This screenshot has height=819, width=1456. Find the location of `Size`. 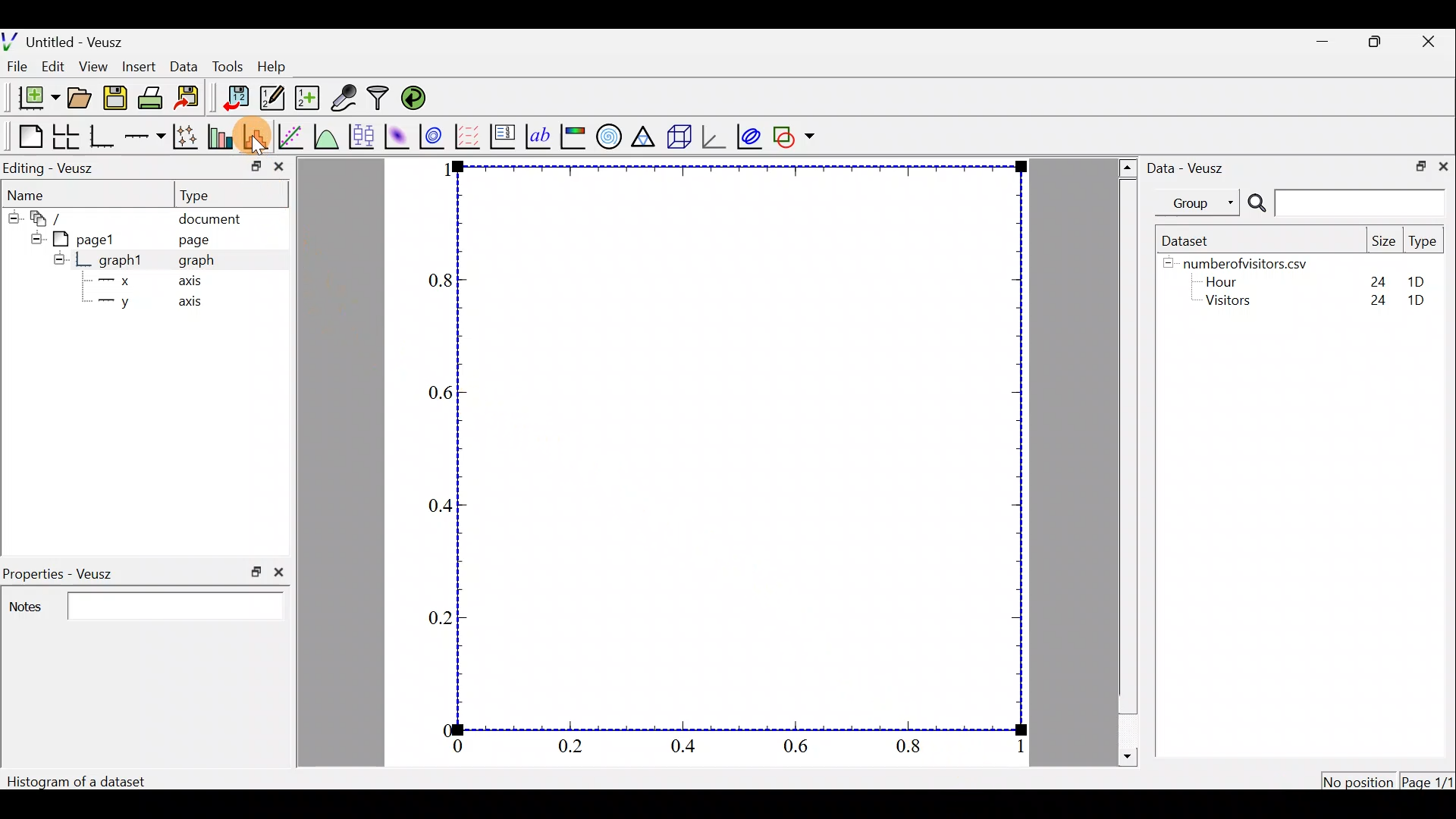

Size is located at coordinates (1385, 242).